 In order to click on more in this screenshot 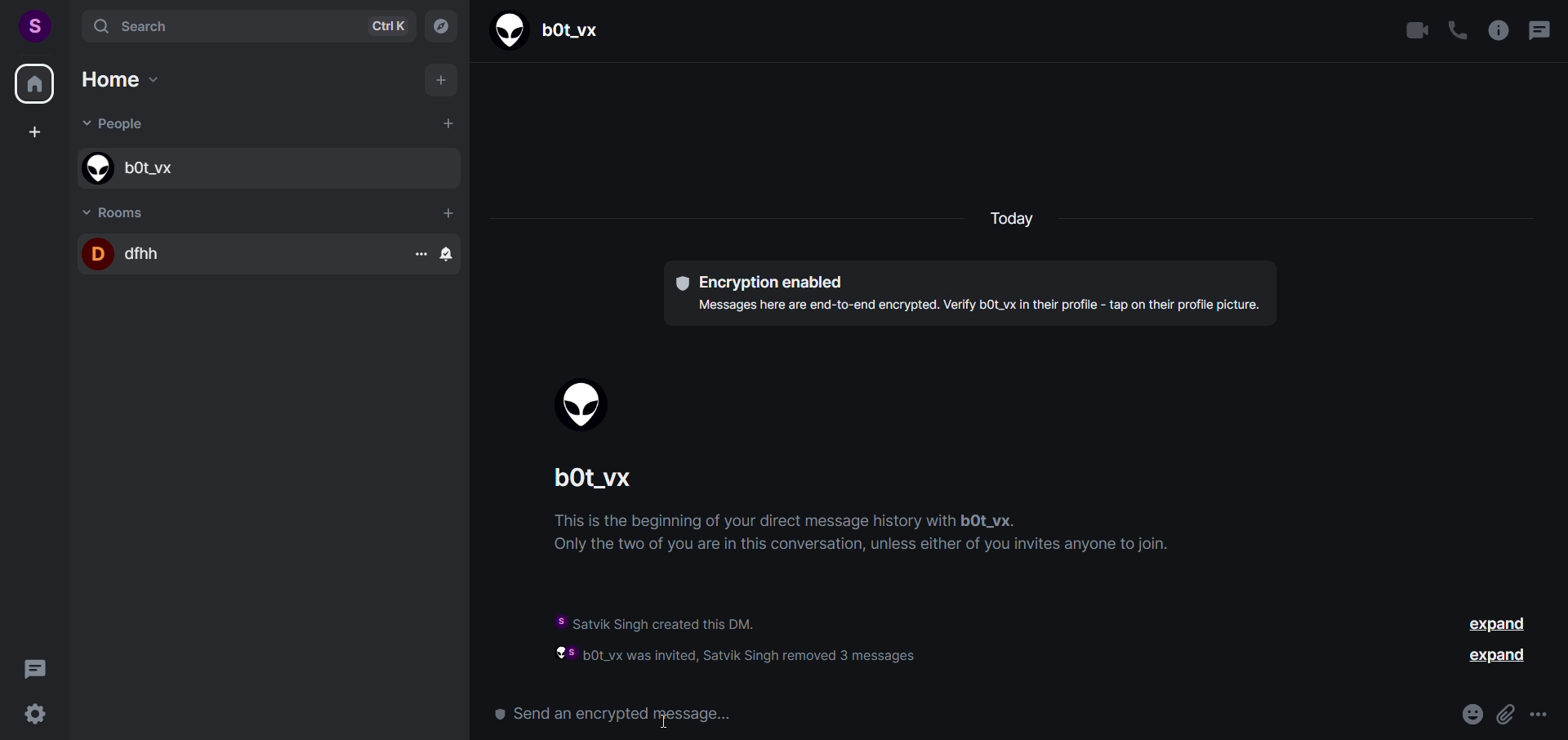, I will do `click(1540, 715)`.